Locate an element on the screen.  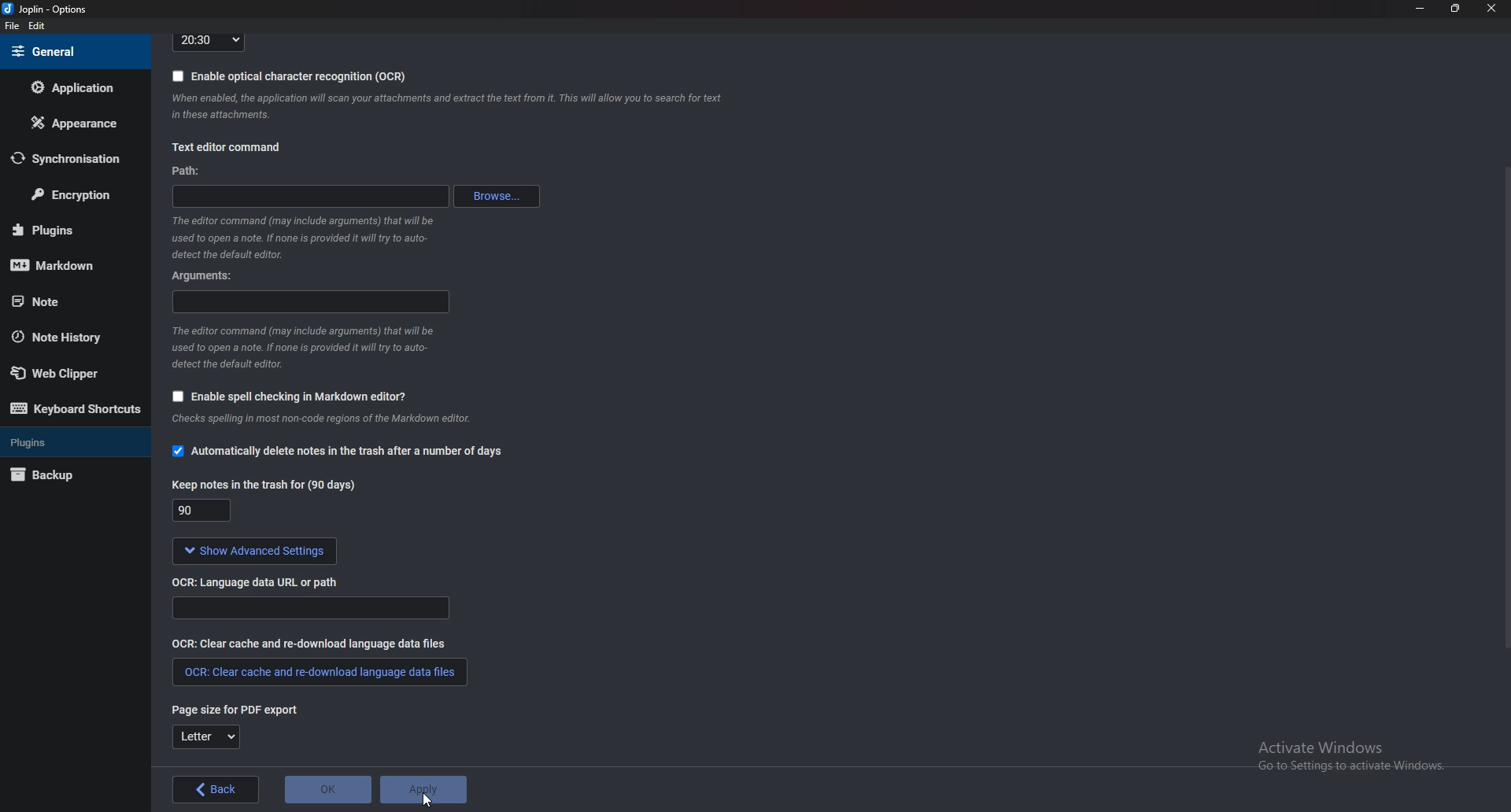
Scroll bar is located at coordinates (1505, 405).